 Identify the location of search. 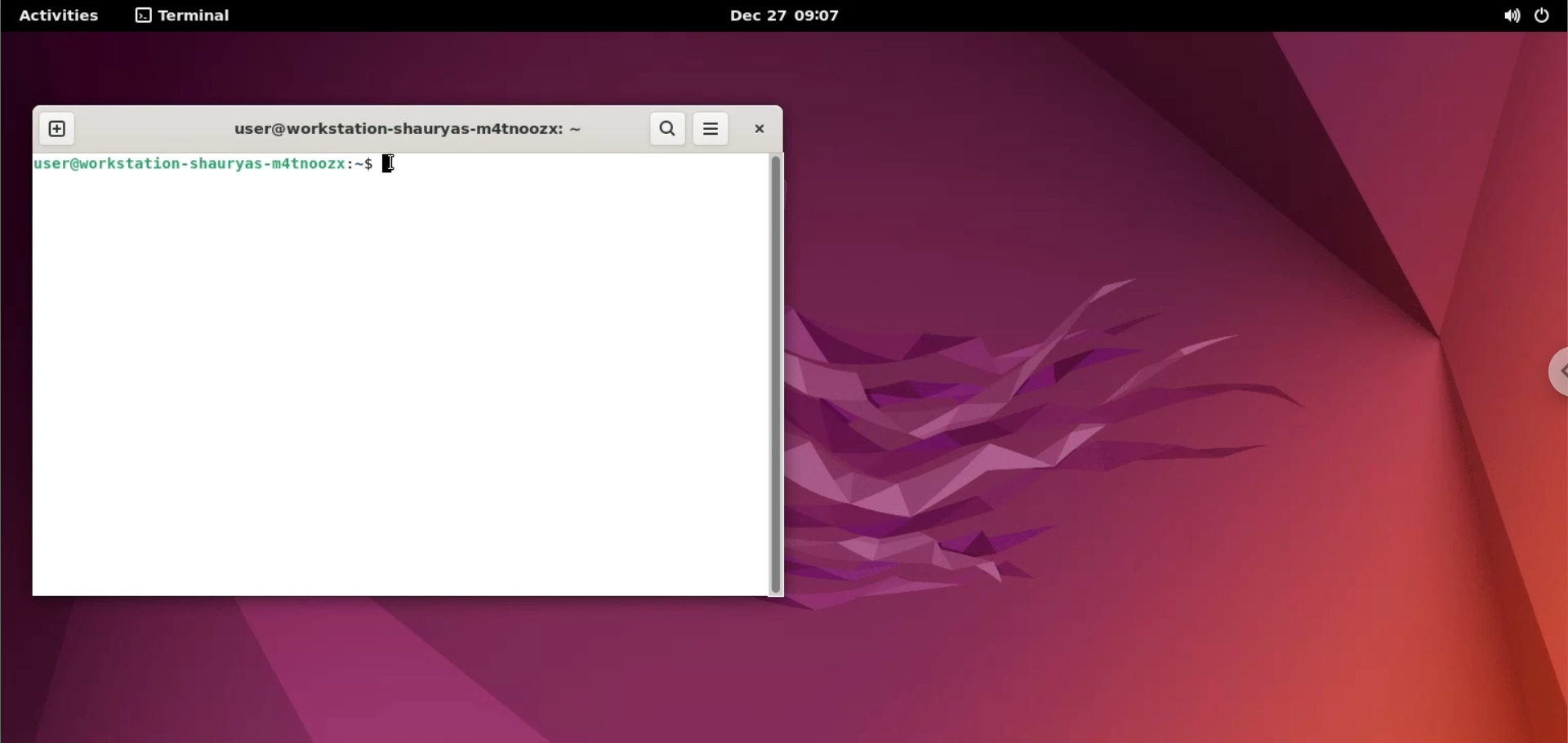
(668, 131).